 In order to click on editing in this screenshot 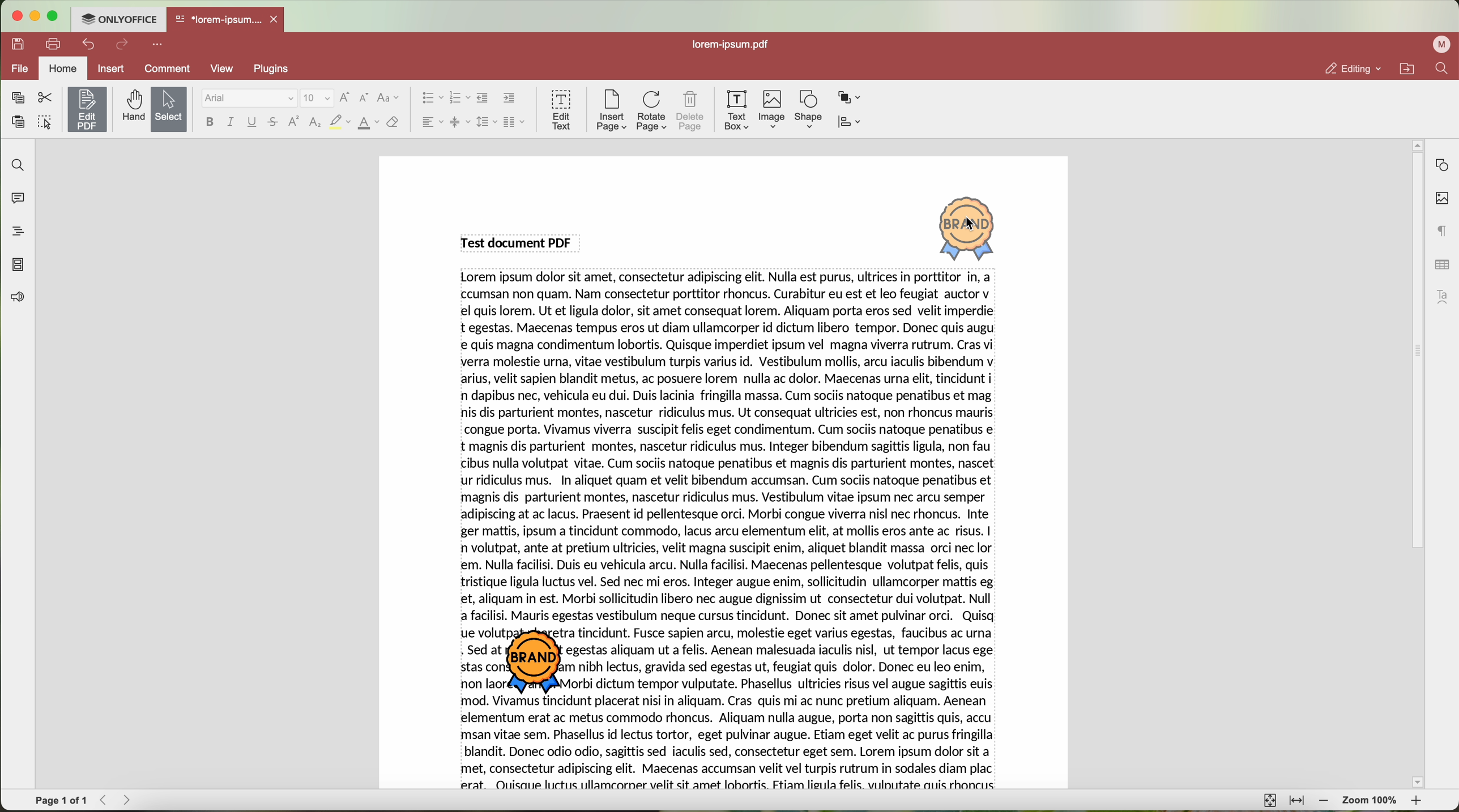, I will do `click(1352, 69)`.